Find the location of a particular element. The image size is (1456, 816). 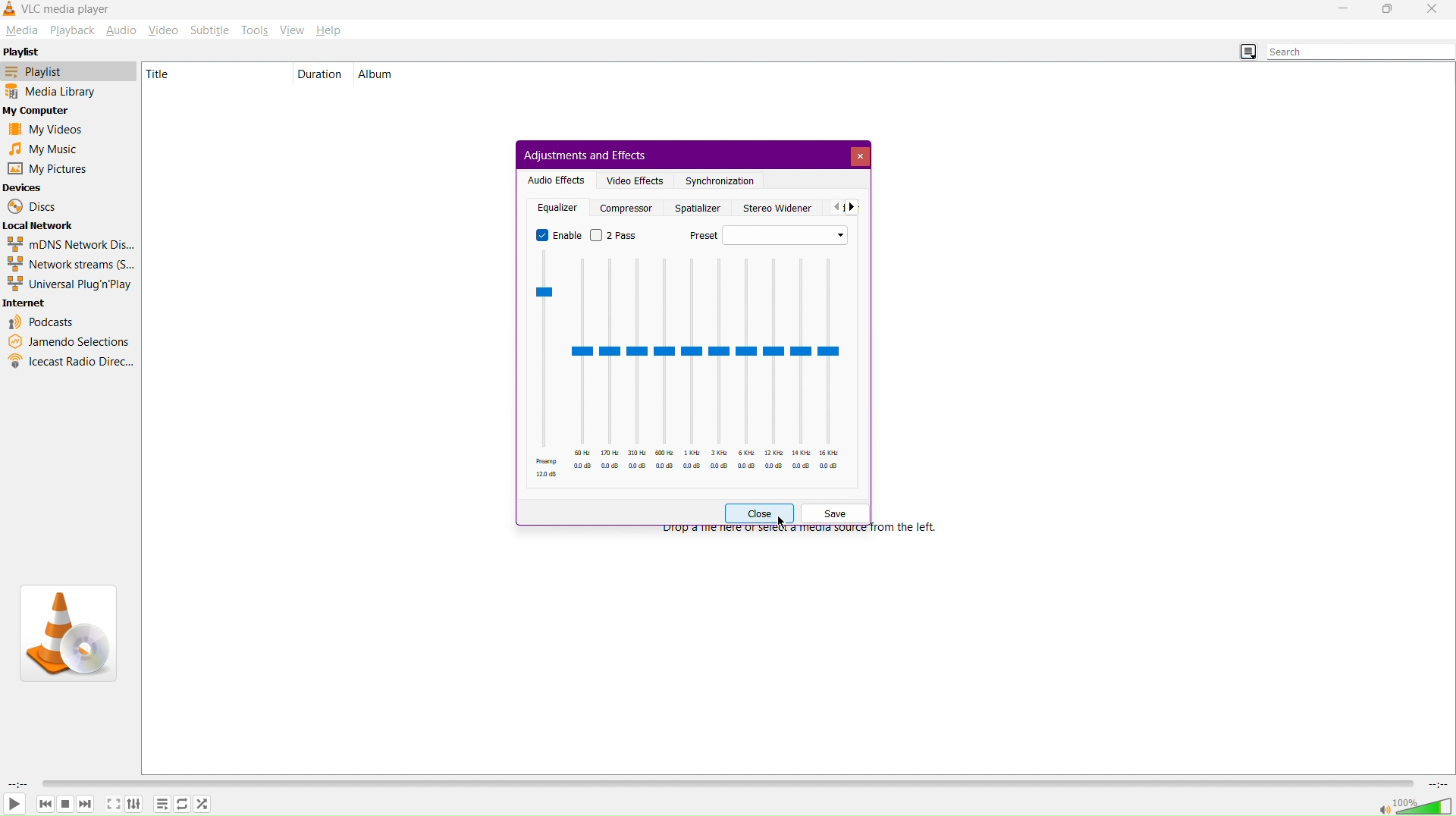

60 Hz is located at coordinates (579, 363).